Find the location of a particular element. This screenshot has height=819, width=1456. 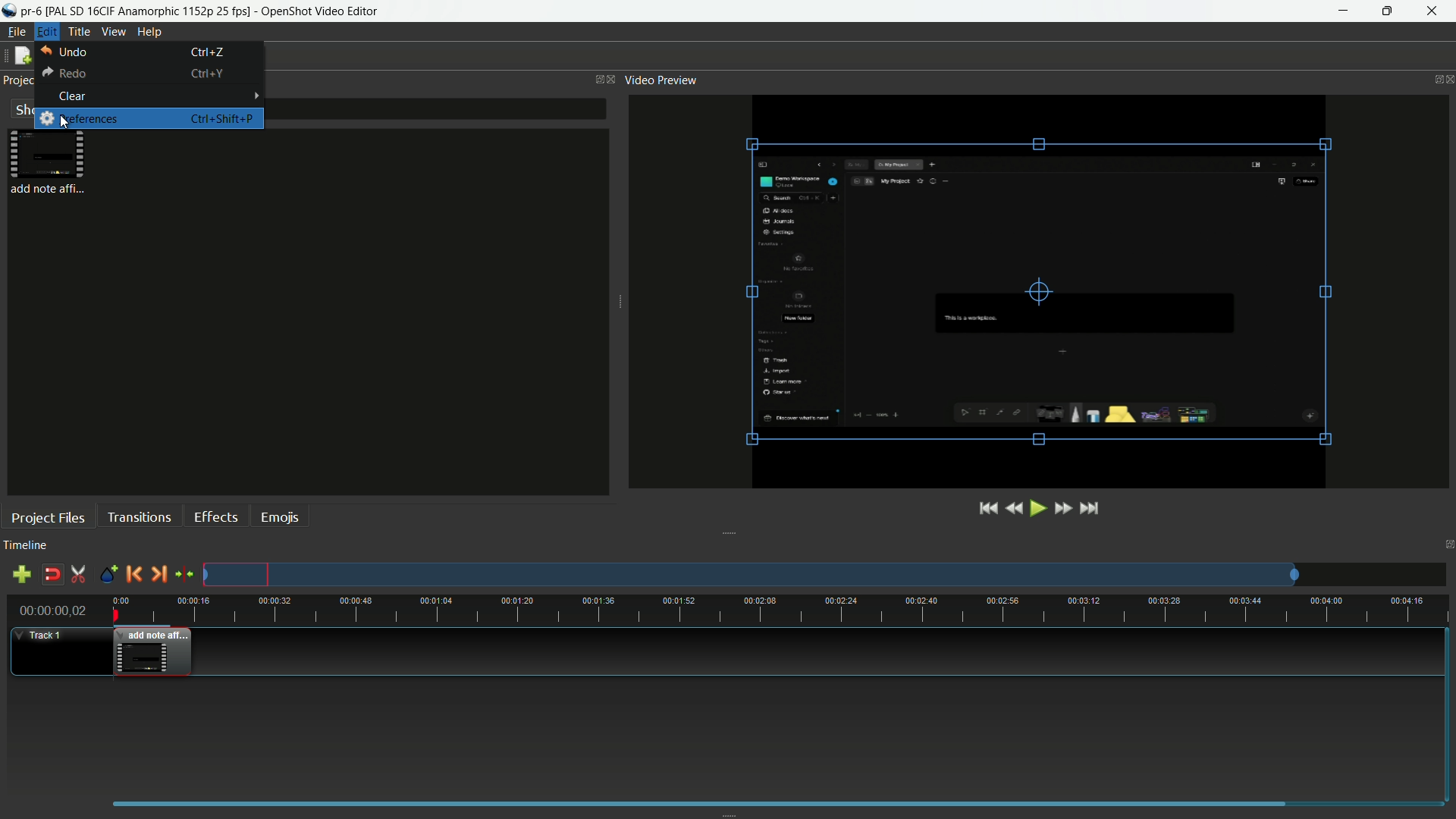

redo is located at coordinates (62, 74).